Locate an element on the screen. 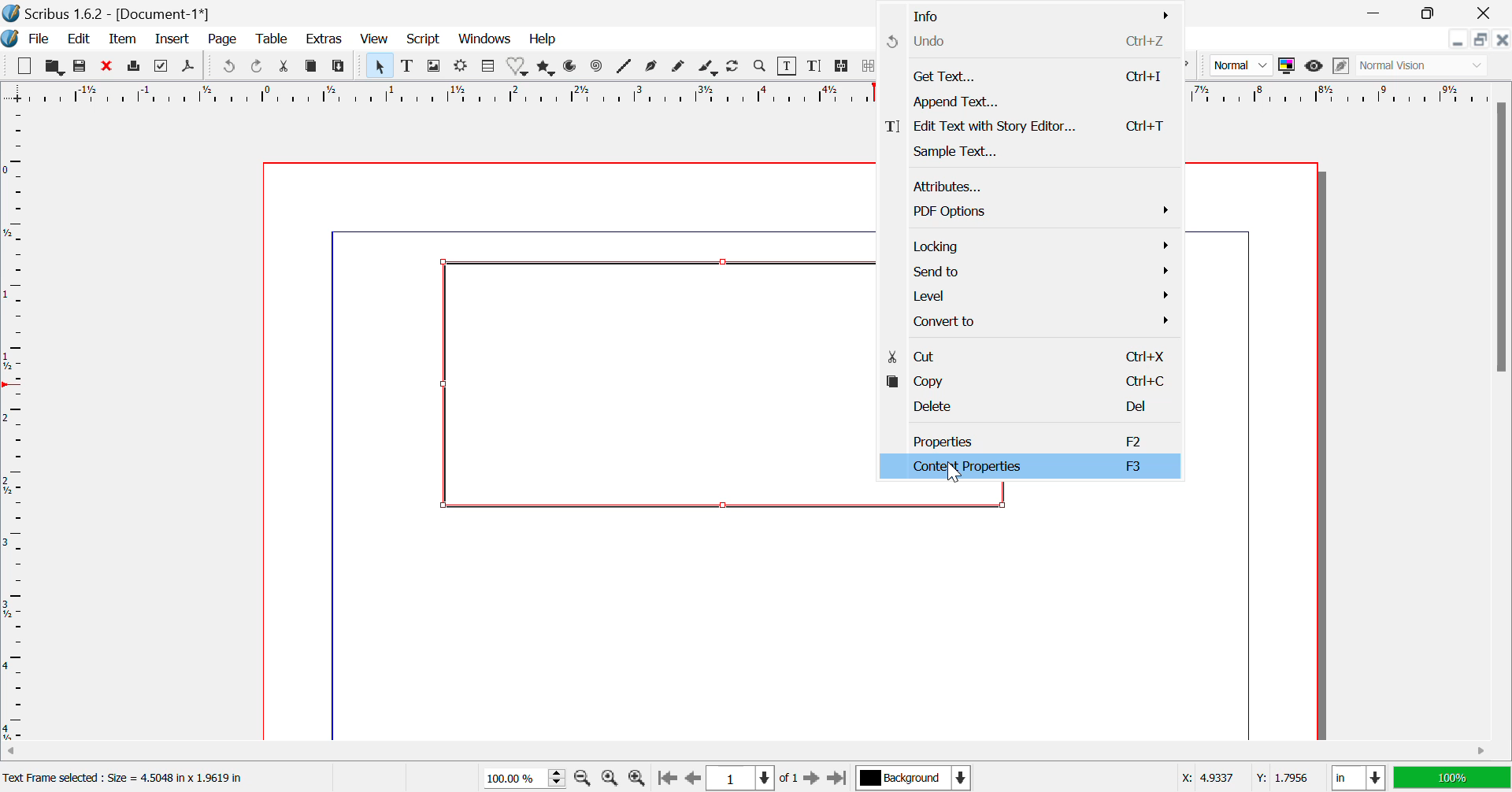  Restore Down is located at coordinates (1378, 12).